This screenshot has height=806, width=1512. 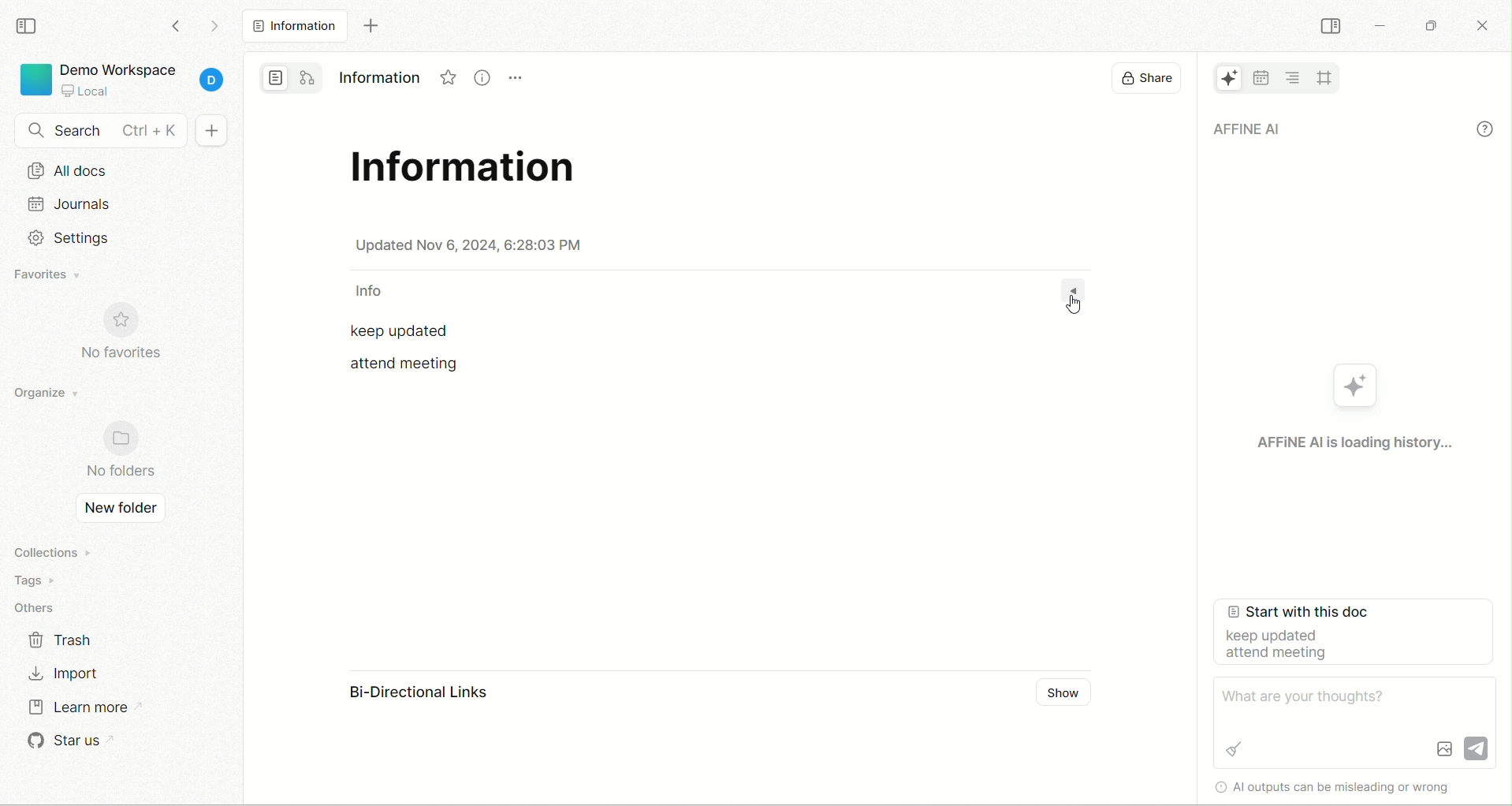 What do you see at coordinates (122, 208) in the screenshot?
I see `journal` at bounding box center [122, 208].